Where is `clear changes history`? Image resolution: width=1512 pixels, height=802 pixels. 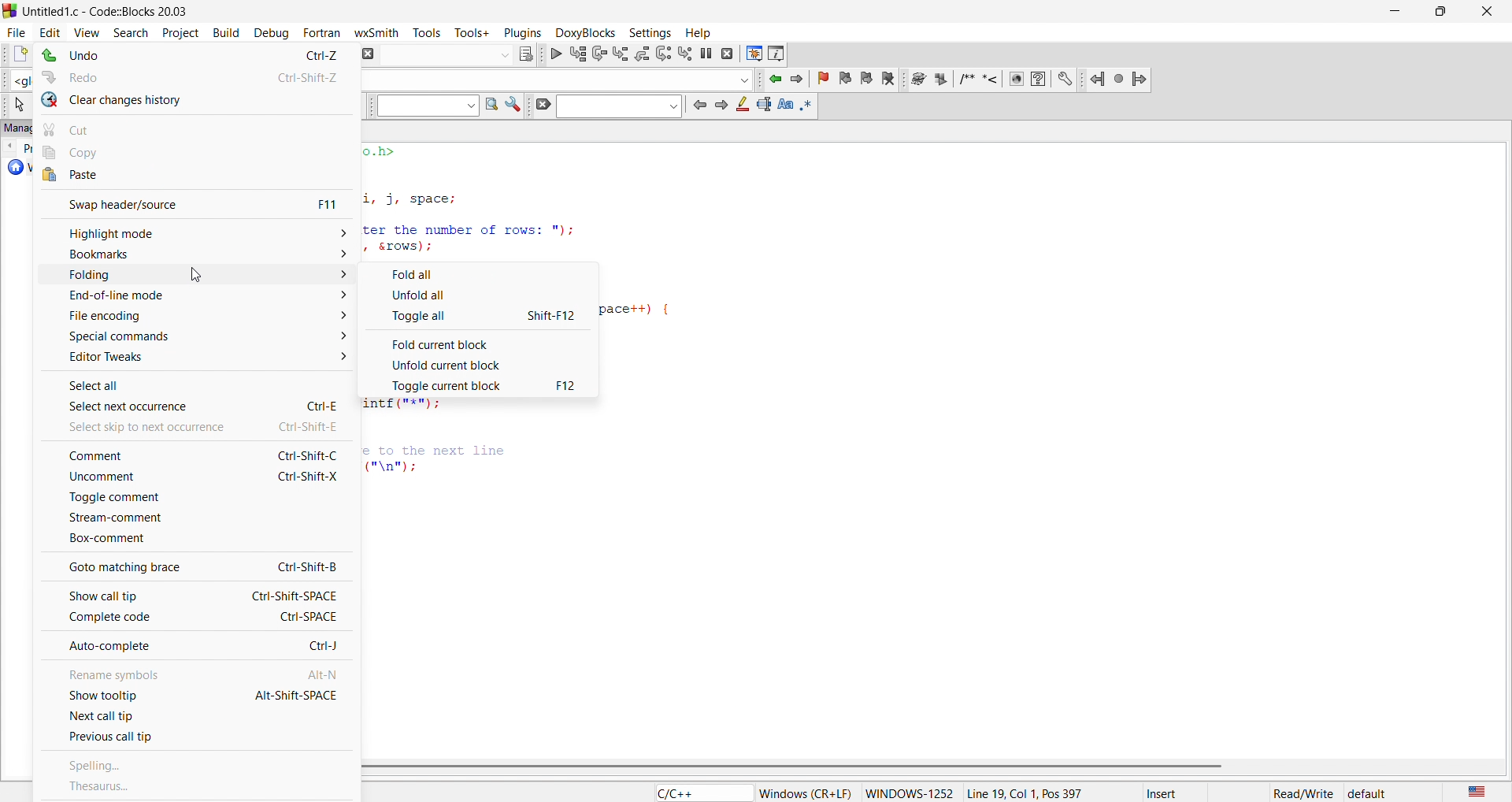 clear changes history is located at coordinates (197, 100).